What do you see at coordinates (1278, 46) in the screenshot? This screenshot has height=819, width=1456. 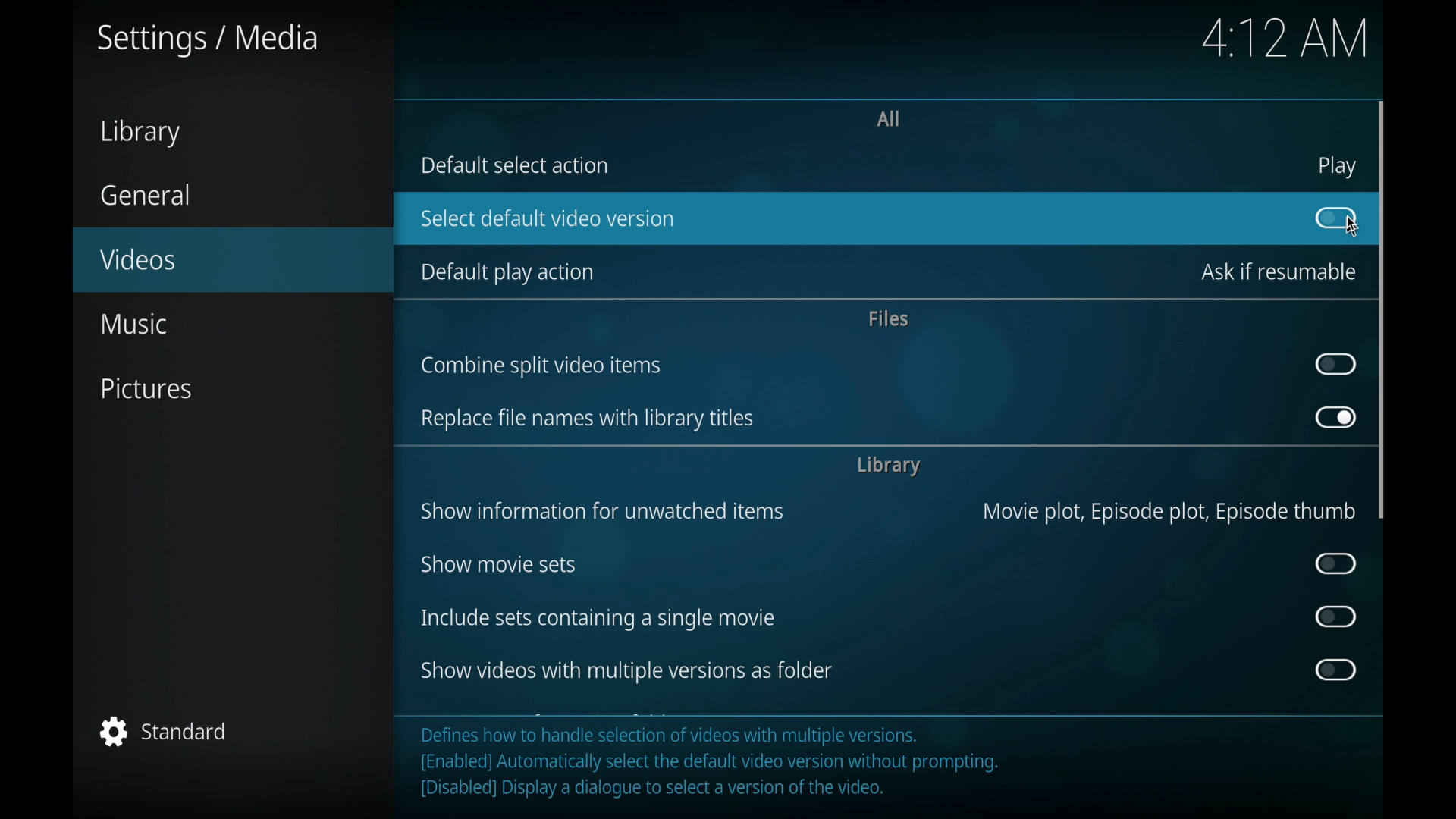 I see `4:12 AM` at bounding box center [1278, 46].